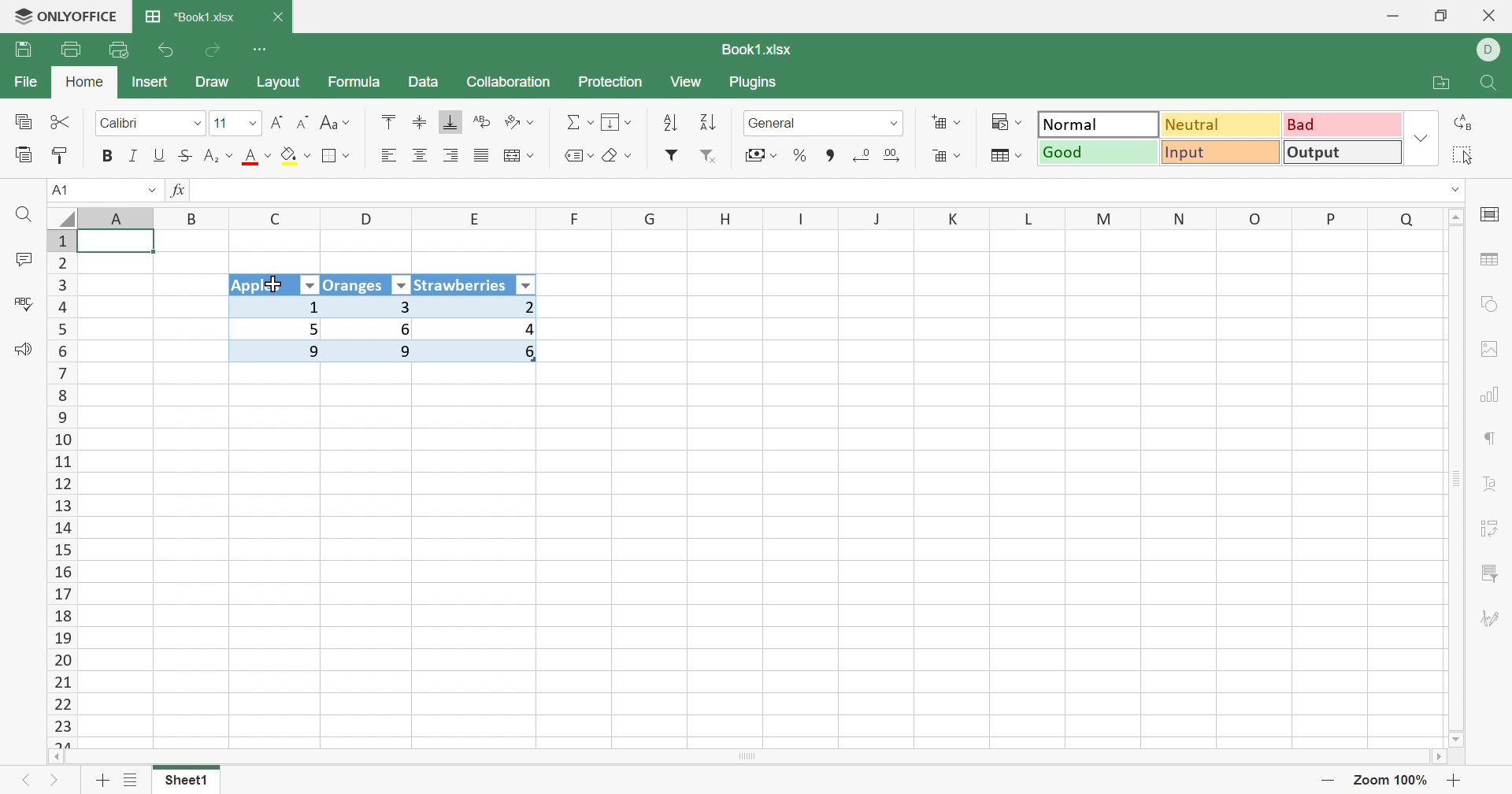 The height and width of the screenshot is (794, 1512). Describe the element at coordinates (1005, 156) in the screenshot. I see `Format as table template` at that location.